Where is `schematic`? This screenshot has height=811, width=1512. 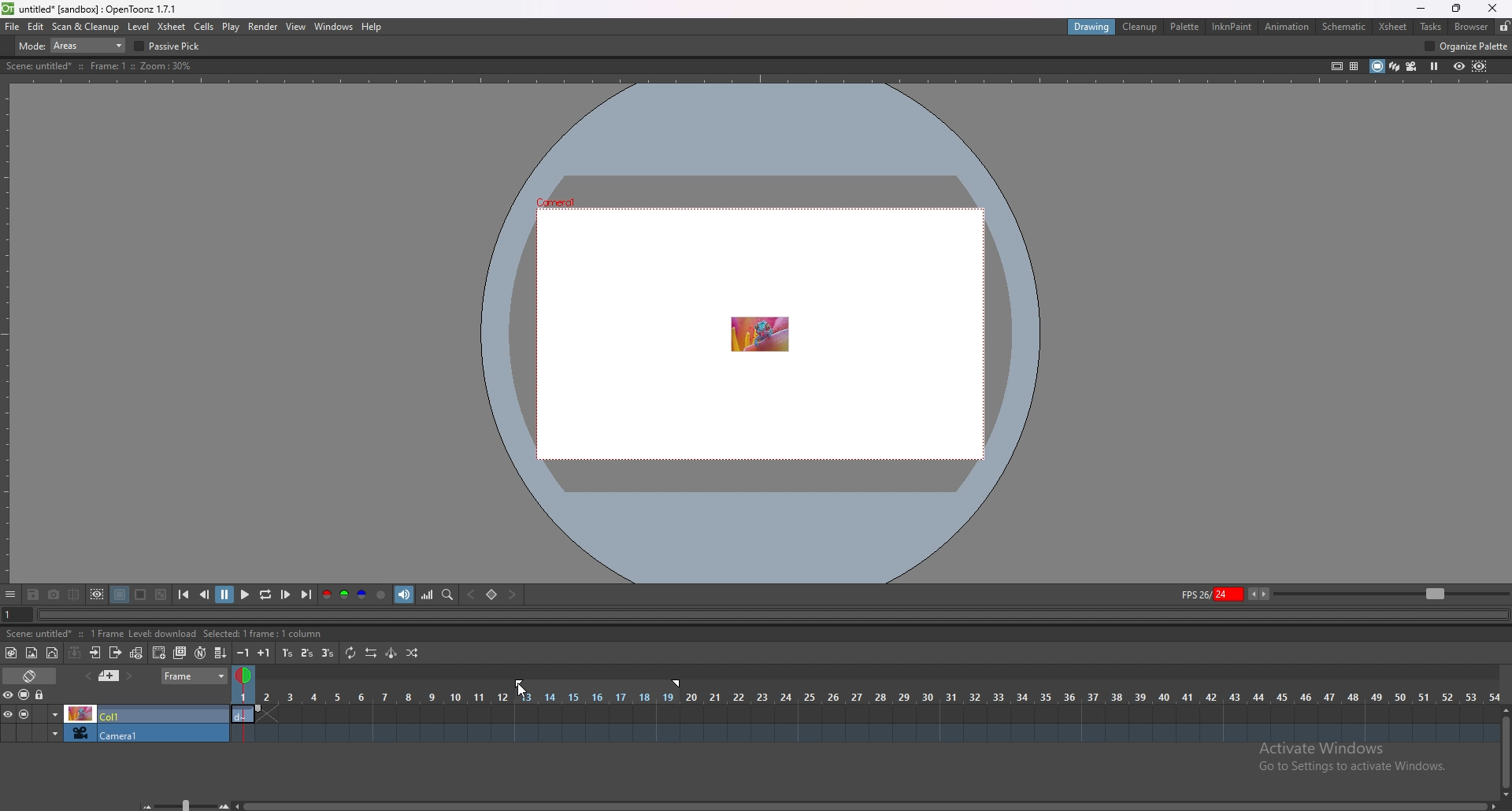 schematic is located at coordinates (1344, 27).